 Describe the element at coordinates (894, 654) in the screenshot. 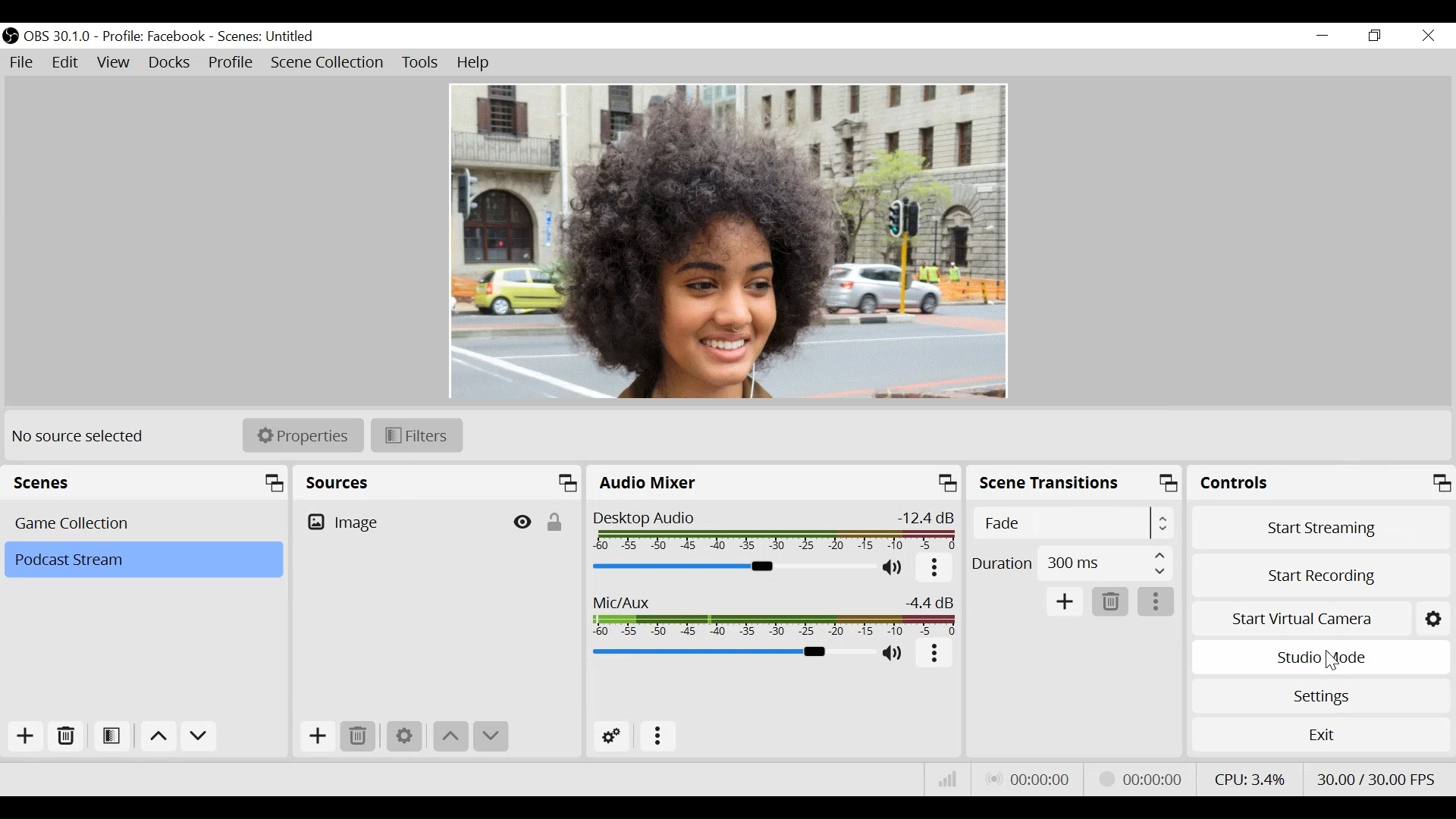

I see `(un)mute` at that location.